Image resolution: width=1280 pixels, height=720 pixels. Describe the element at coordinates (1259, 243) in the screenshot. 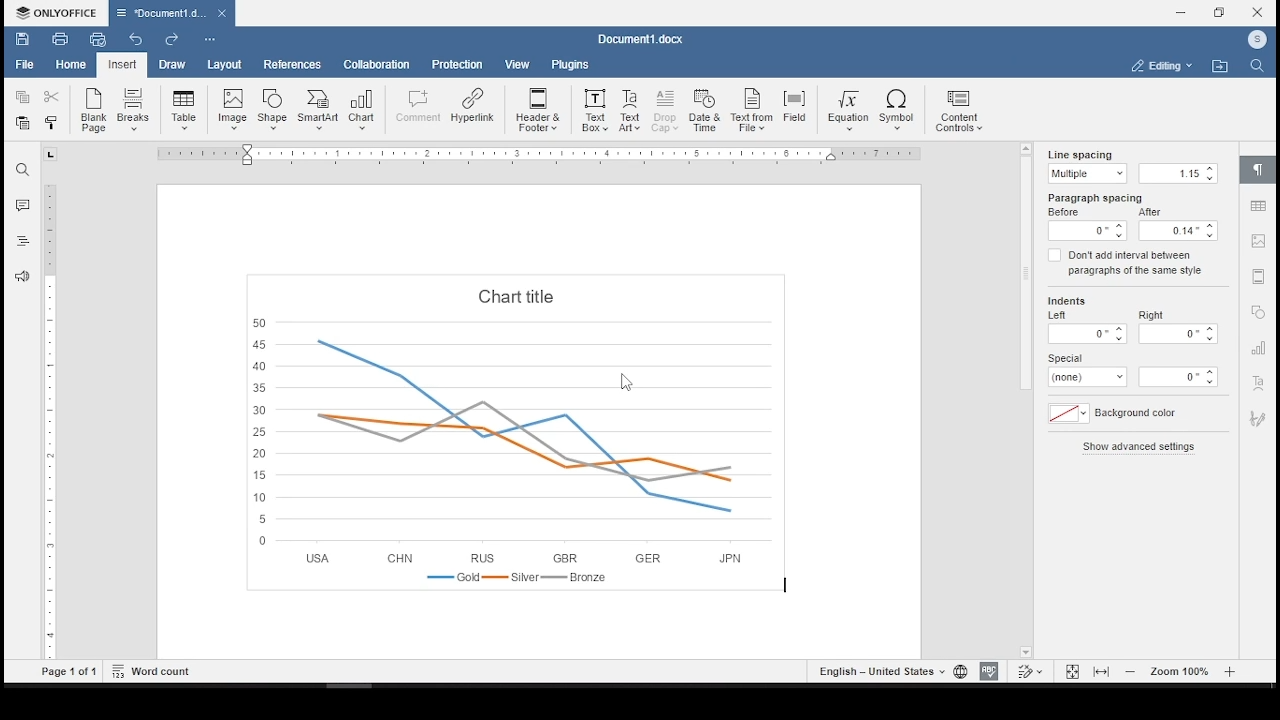

I see `image settings` at that location.